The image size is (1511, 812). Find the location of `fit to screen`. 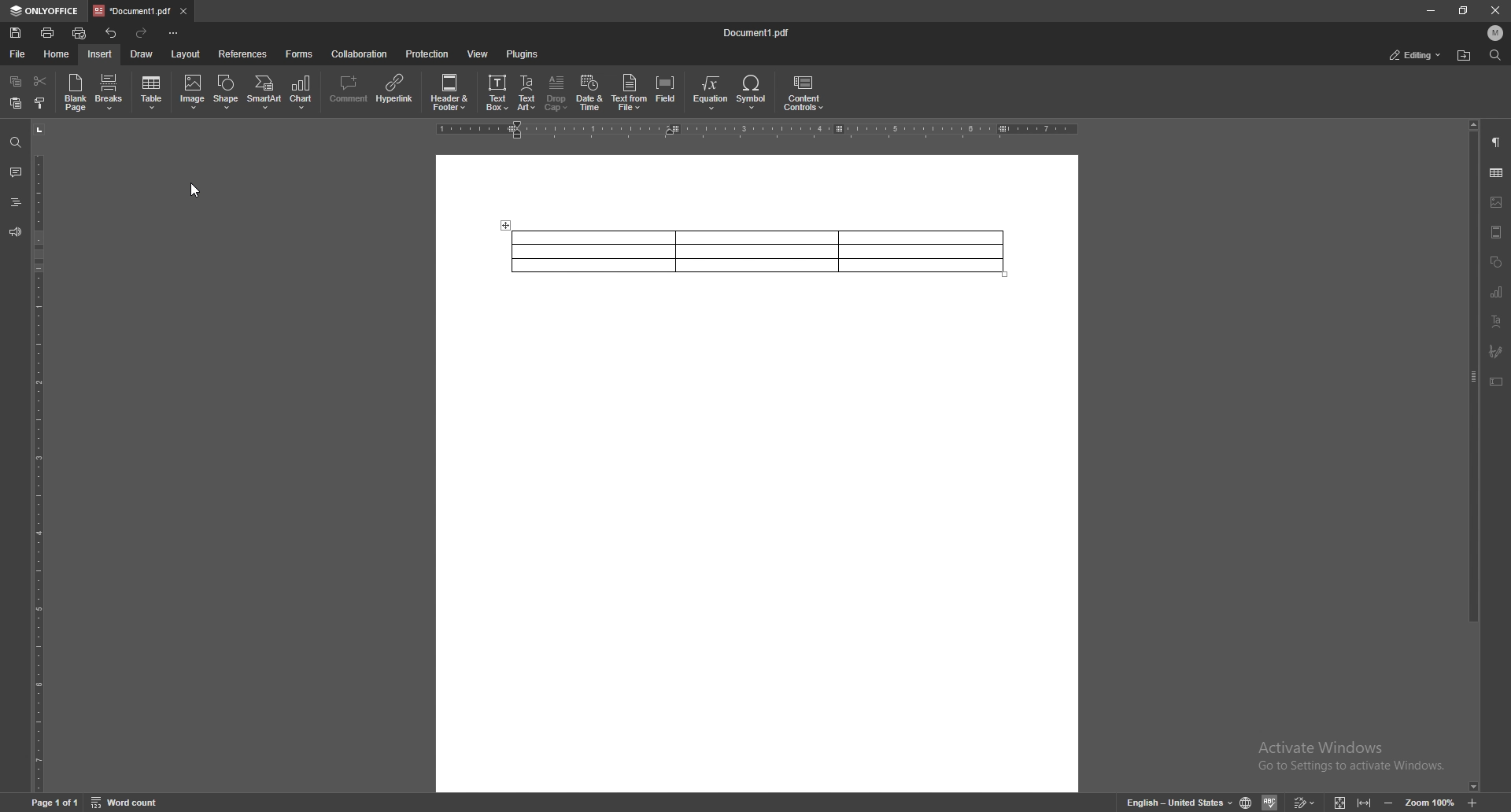

fit to screen is located at coordinates (1343, 801).